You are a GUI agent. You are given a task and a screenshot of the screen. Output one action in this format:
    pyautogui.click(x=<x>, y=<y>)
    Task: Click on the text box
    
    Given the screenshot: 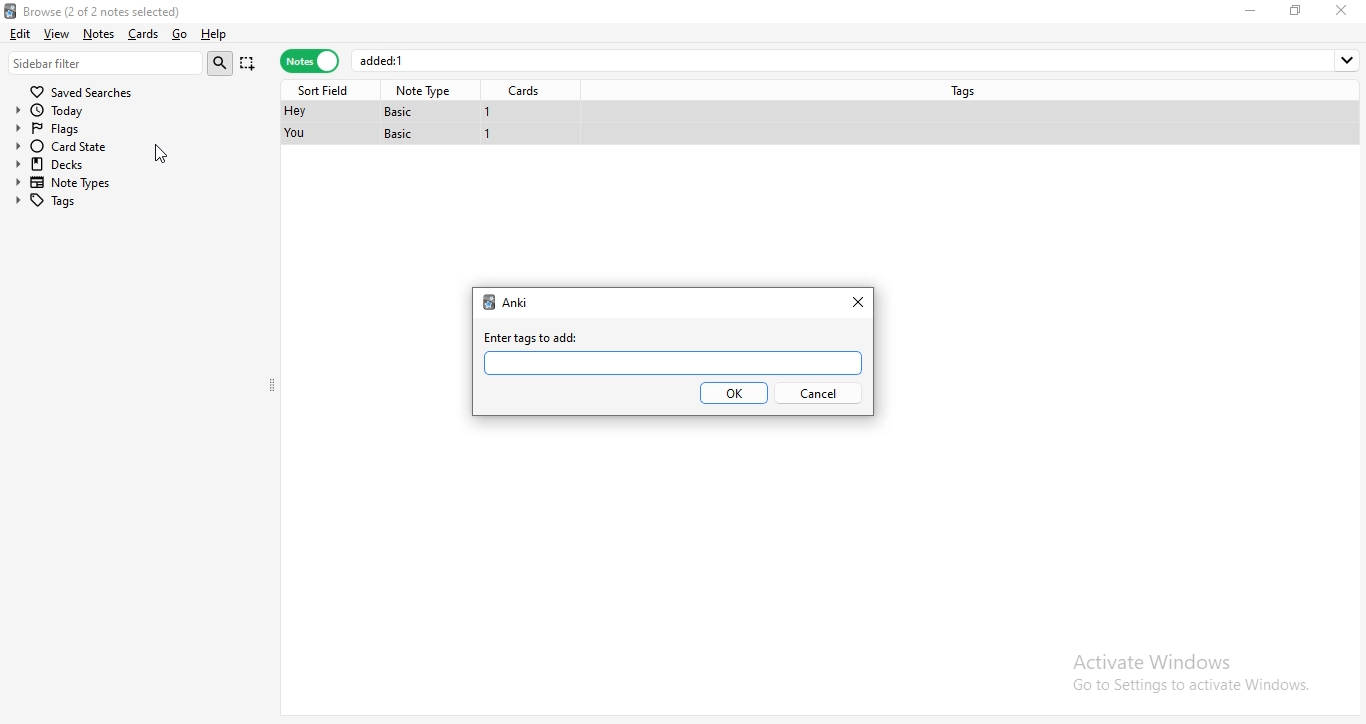 What is the action you would take?
    pyautogui.click(x=671, y=363)
    